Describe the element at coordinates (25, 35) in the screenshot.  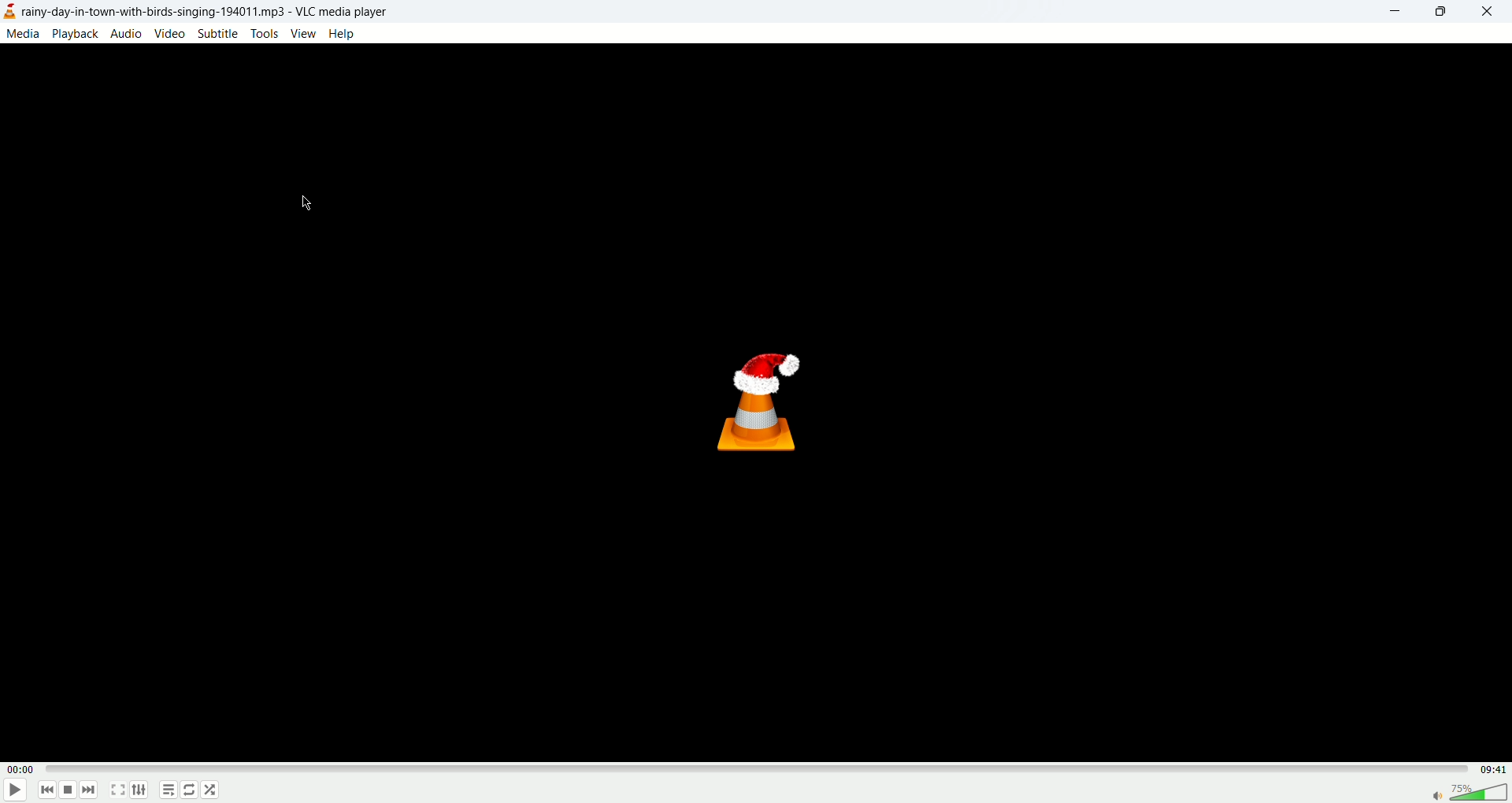
I see `media` at that location.